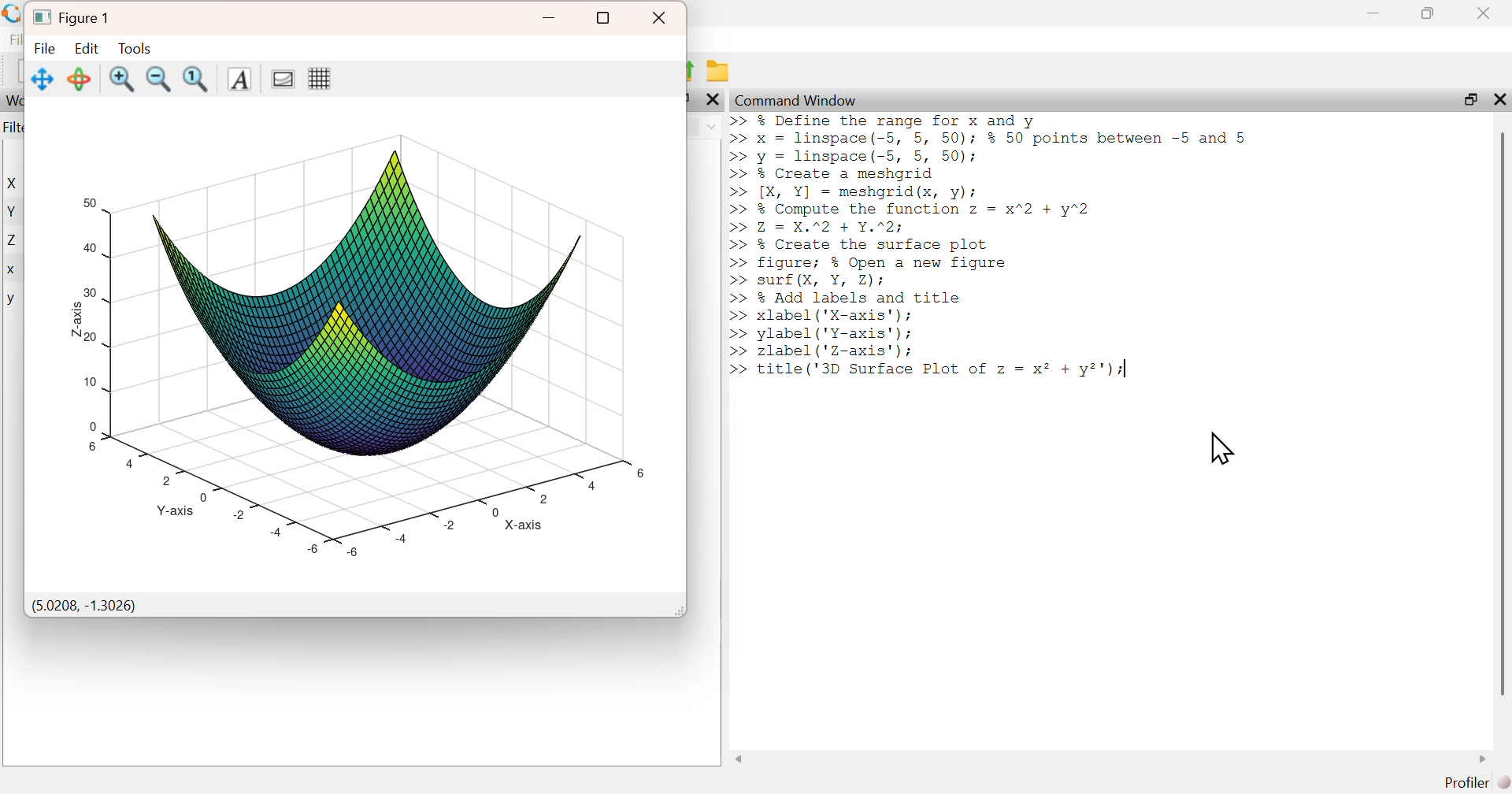 This screenshot has height=794, width=1512. I want to click on Workspace, so click(13, 101).